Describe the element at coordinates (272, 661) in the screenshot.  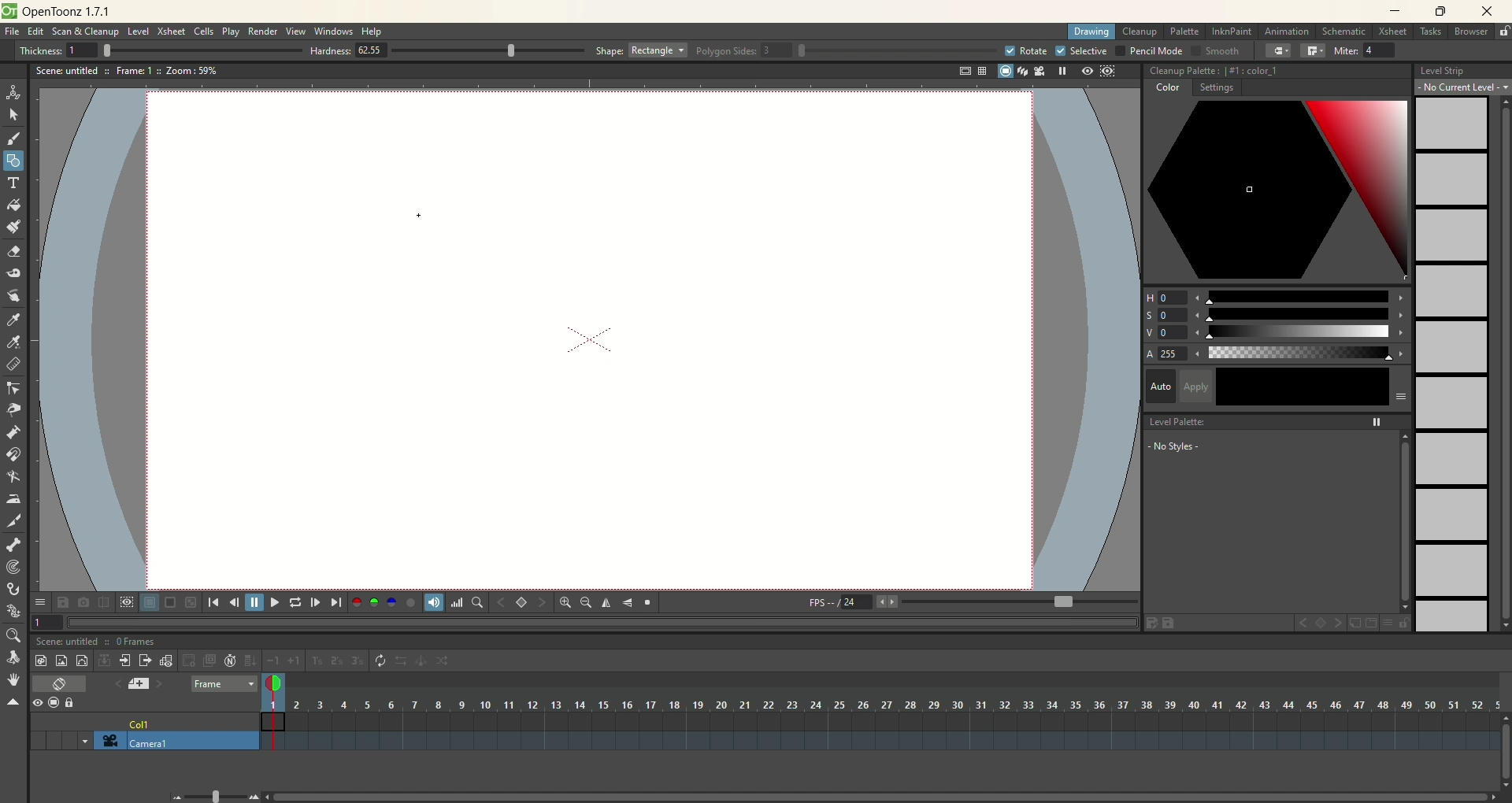
I see `decrease step` at that location.